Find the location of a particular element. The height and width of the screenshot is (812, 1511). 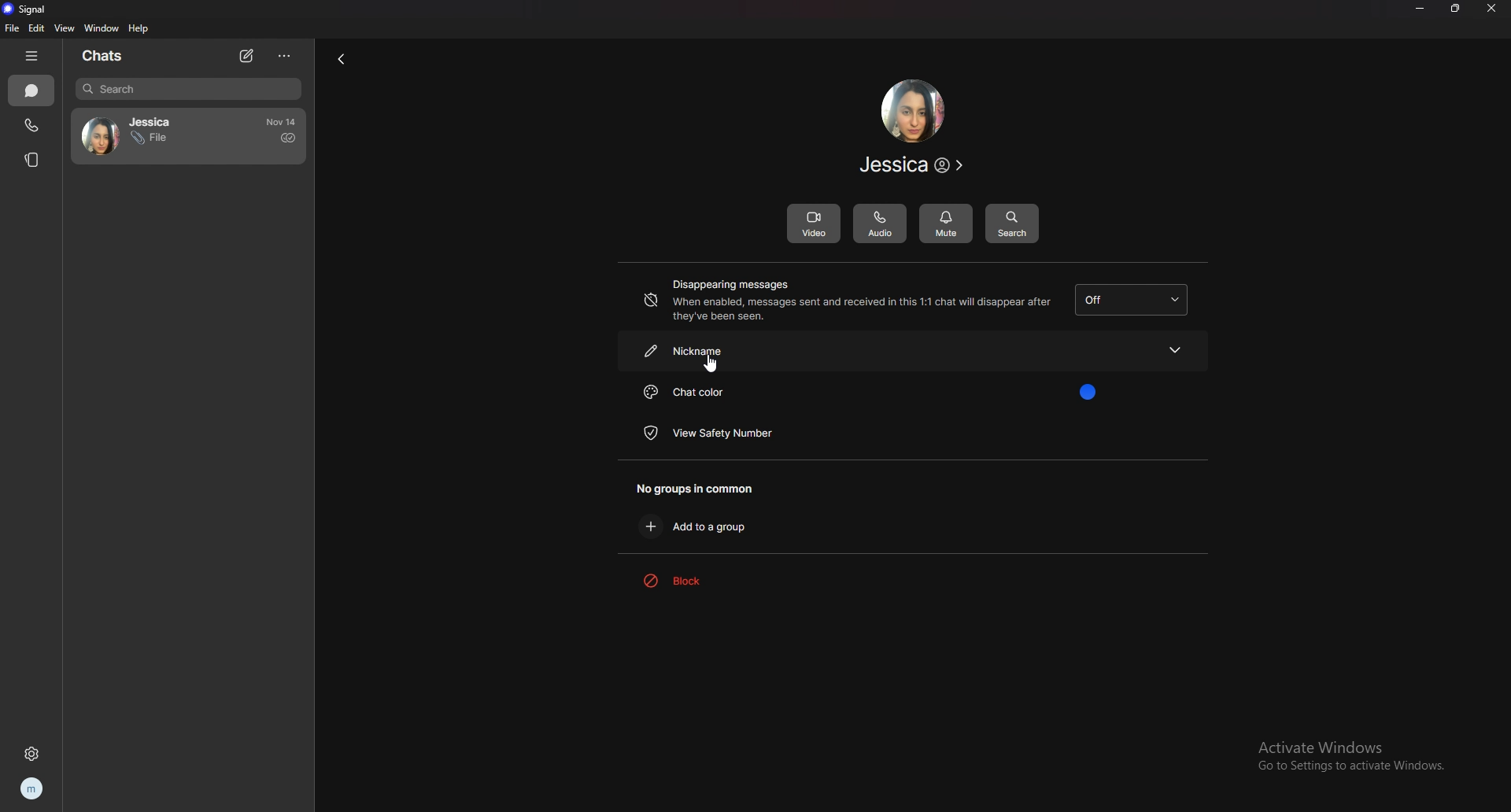

delivered is located at coordinates (288, 138).